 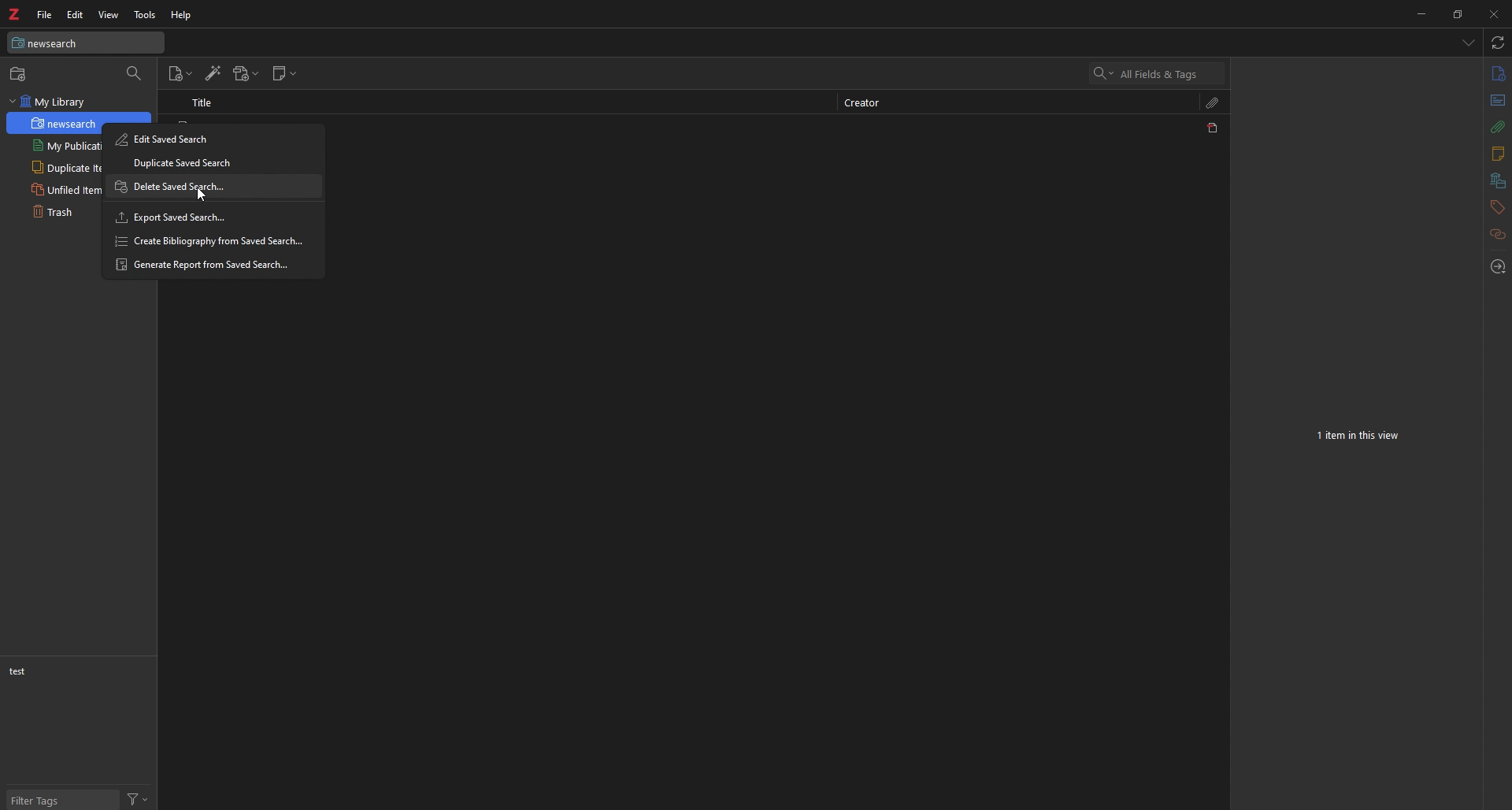 I want to click on creator, so click(x=864, y=104).